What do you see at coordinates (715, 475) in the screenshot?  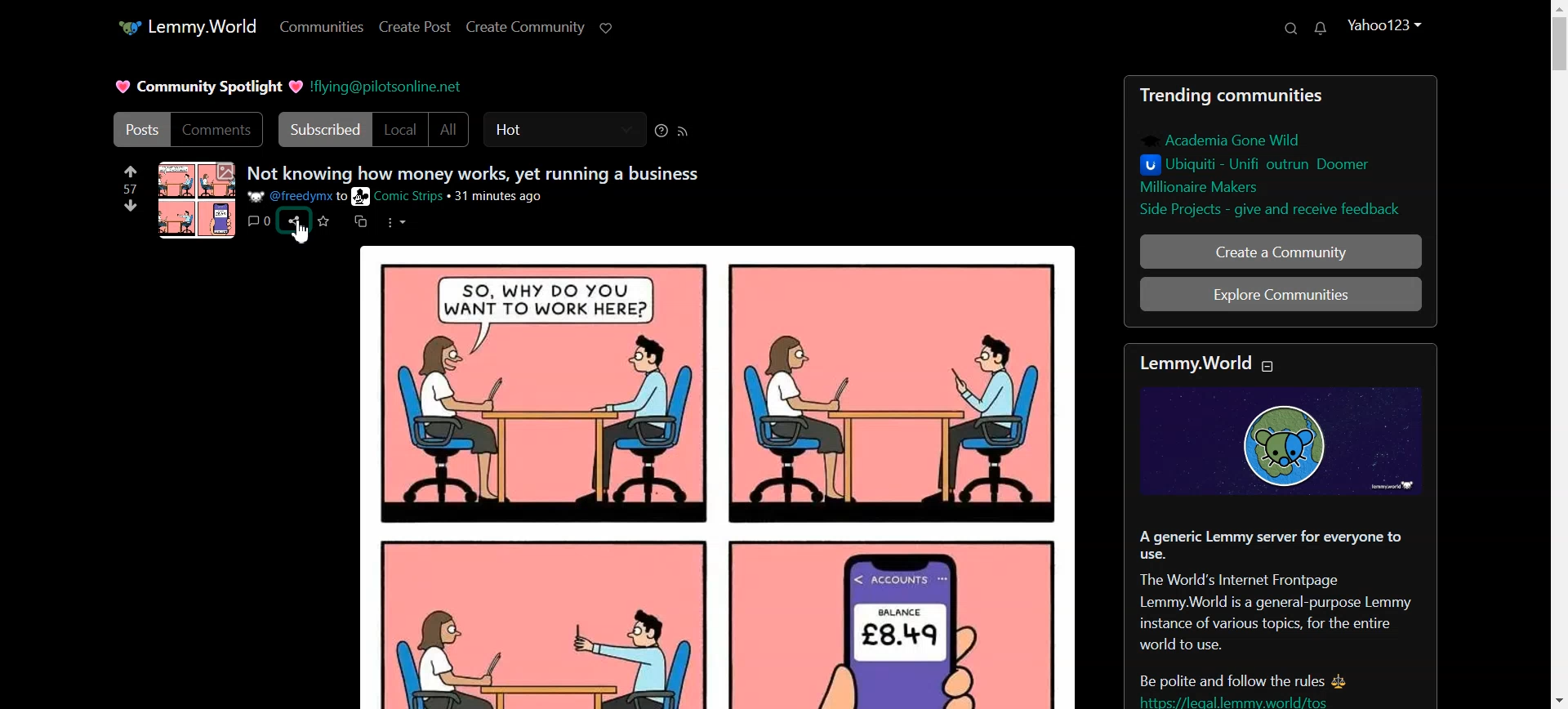 I see `Posts` at bounding box center [715, 475].